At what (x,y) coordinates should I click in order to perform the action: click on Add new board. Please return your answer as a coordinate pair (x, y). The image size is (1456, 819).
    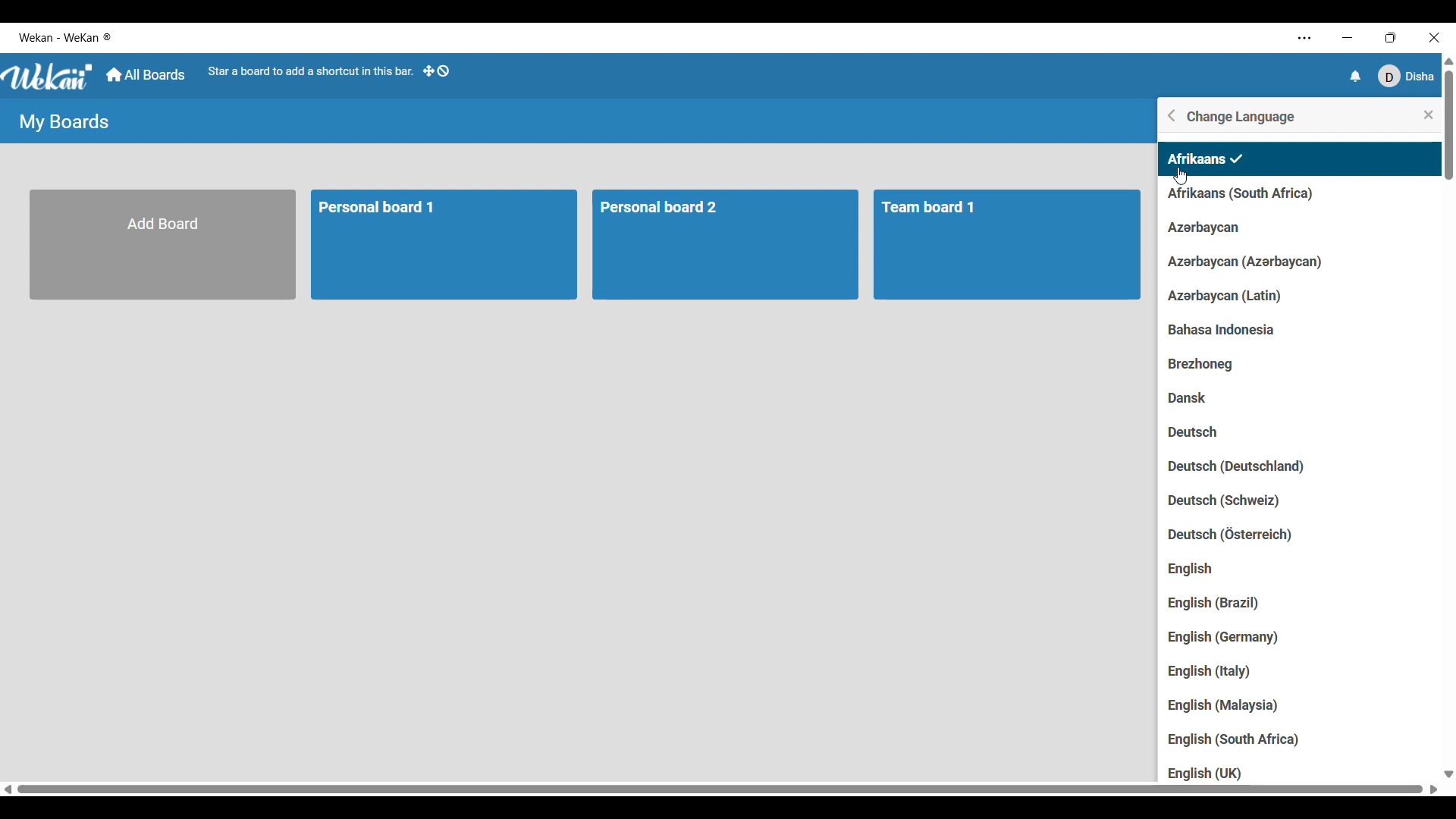
    Looking at the image, I should click on (164, 245).